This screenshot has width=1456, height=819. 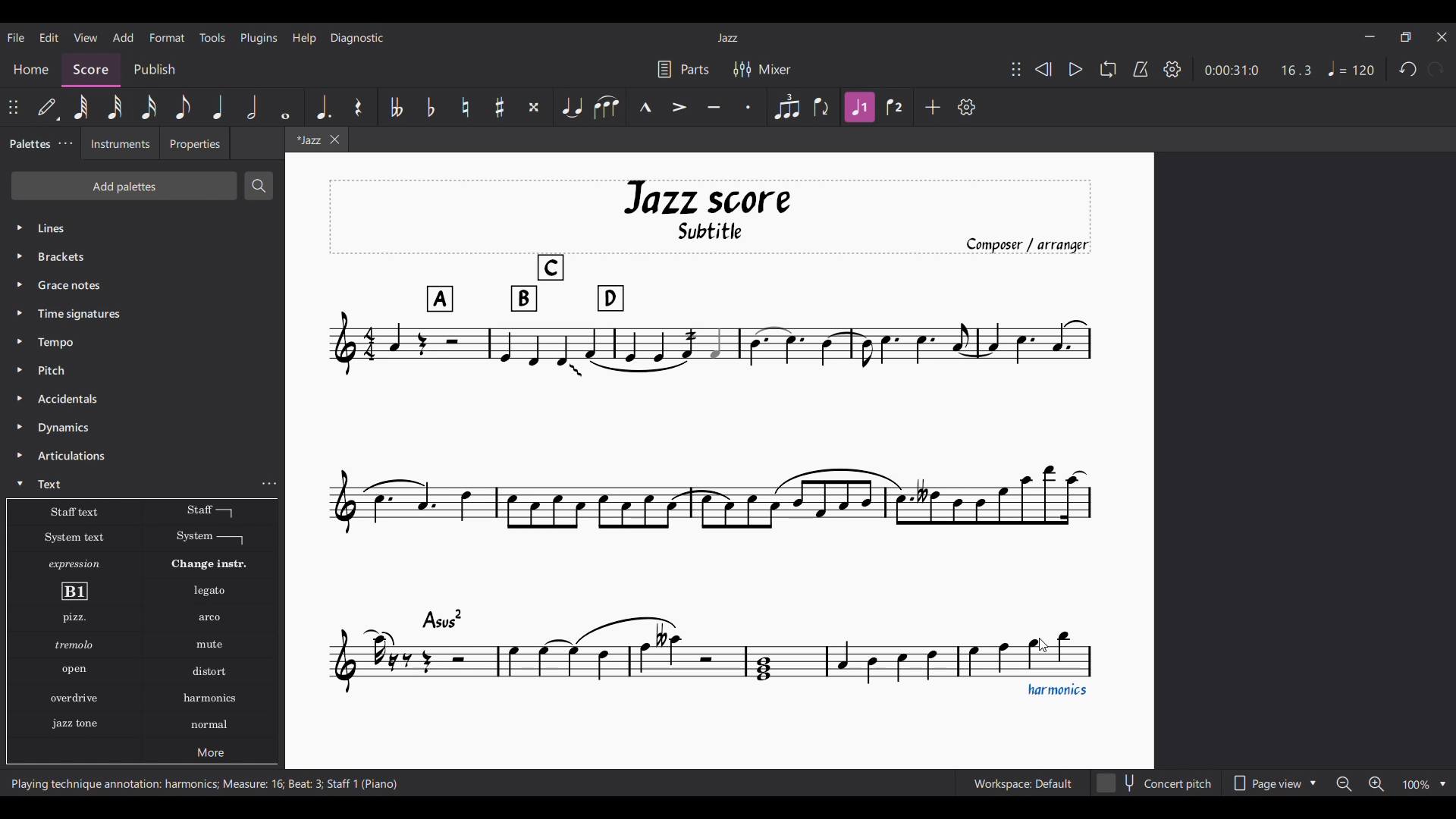 I want to click on Default, so click(x=49, y=107).